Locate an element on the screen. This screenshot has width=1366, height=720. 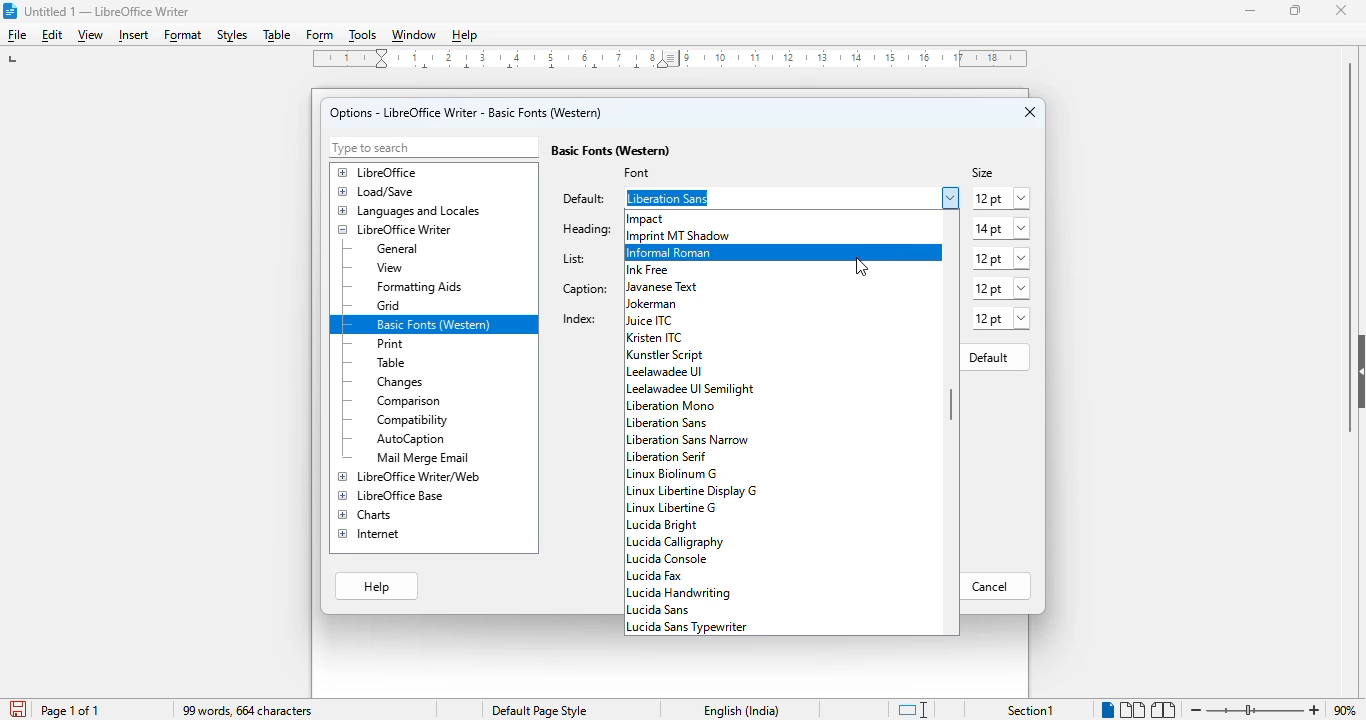
minimize is located at coordinates (1251, 11).